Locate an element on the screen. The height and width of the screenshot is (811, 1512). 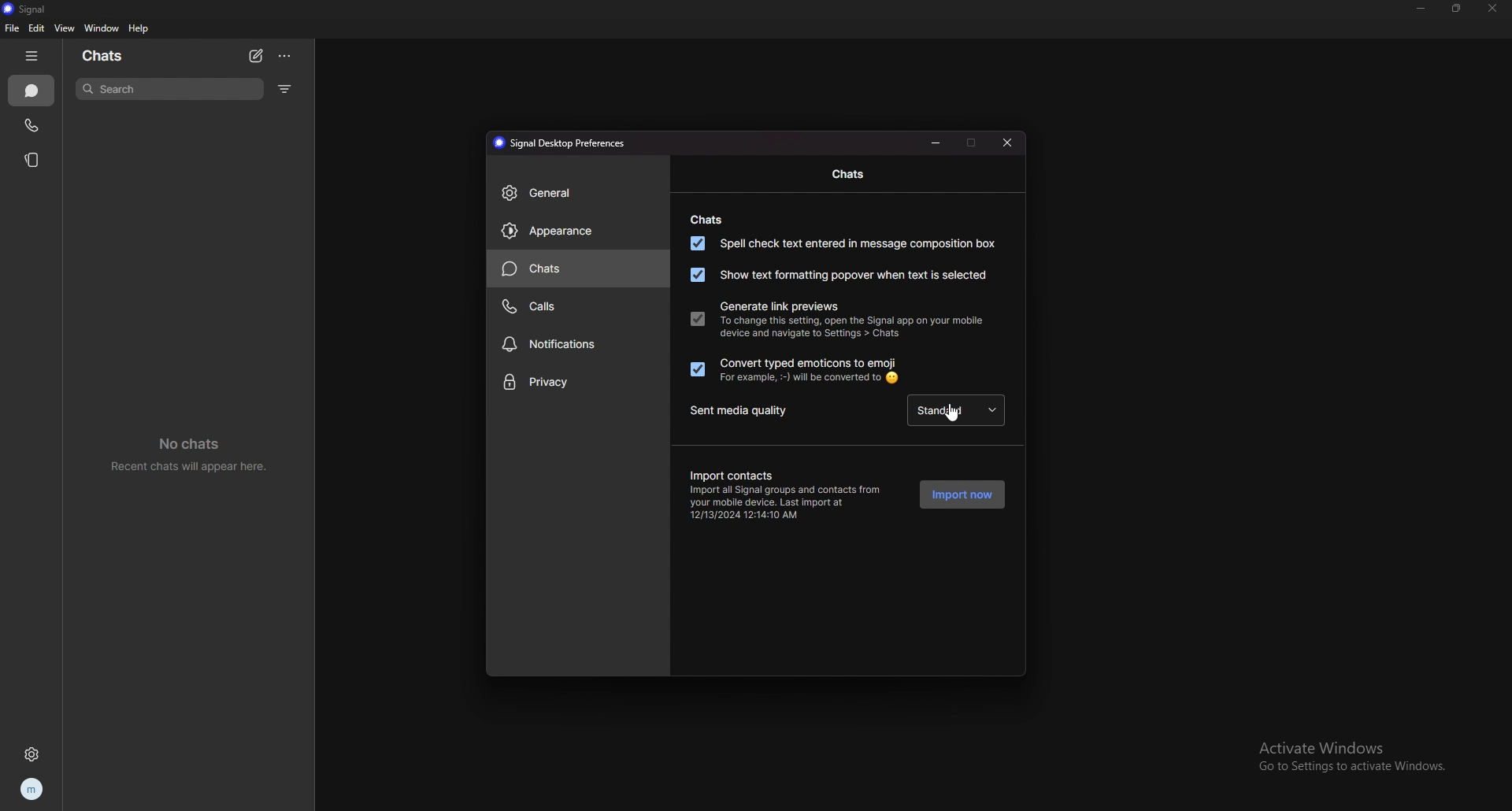
options is located at coordinates (286, 56).